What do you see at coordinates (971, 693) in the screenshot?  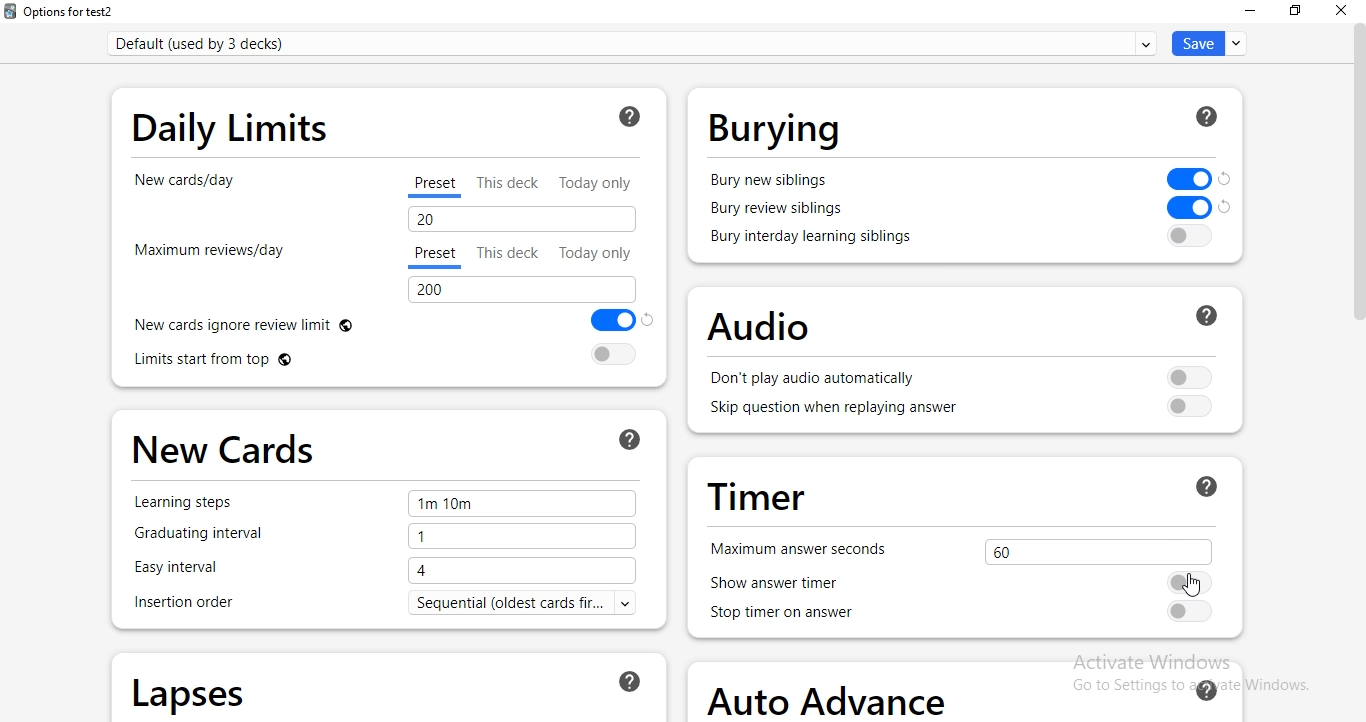 I see `auto advance` at bounding box center [971, 693].